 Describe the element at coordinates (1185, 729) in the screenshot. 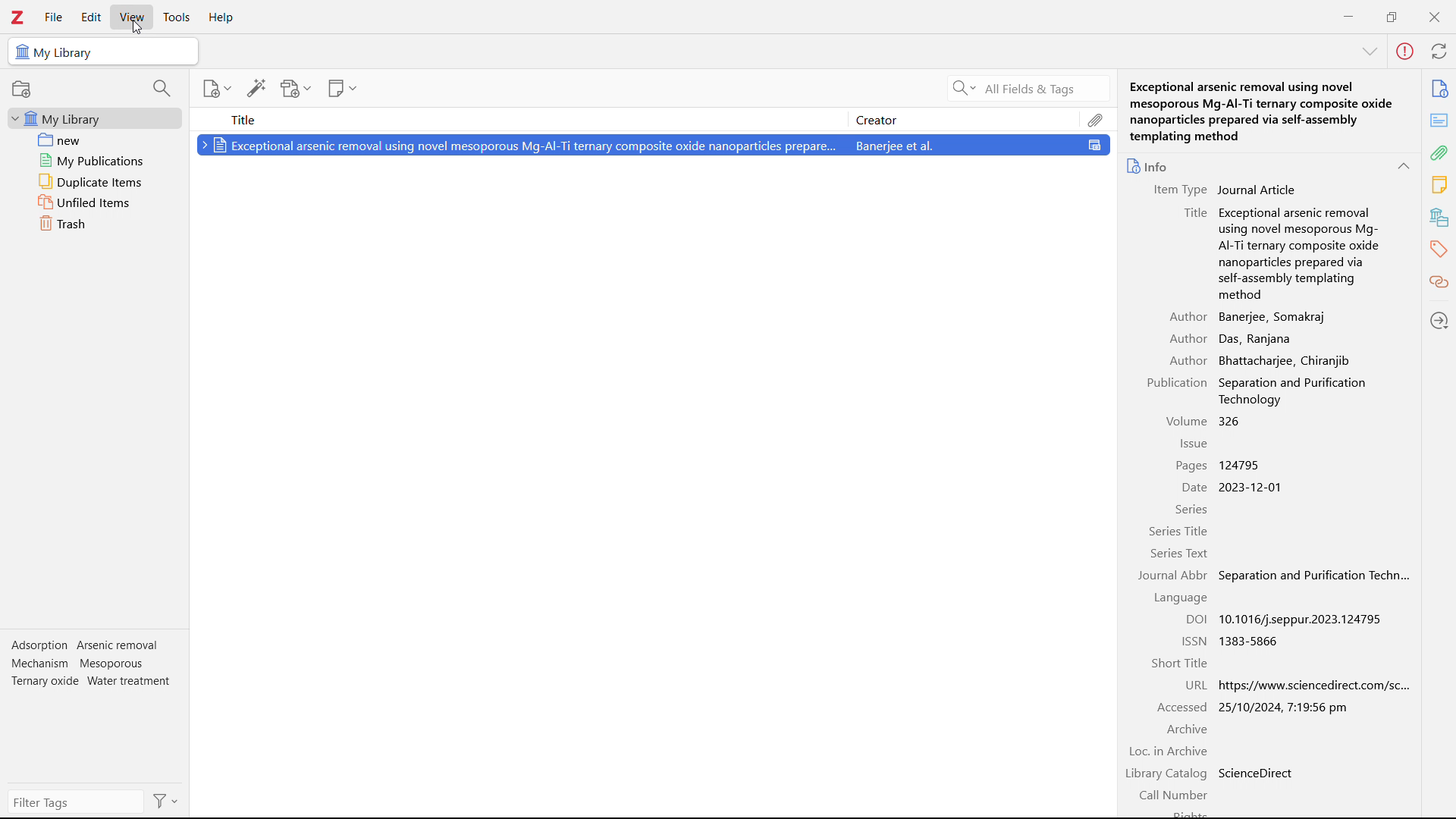

I see `Archive` at that location.